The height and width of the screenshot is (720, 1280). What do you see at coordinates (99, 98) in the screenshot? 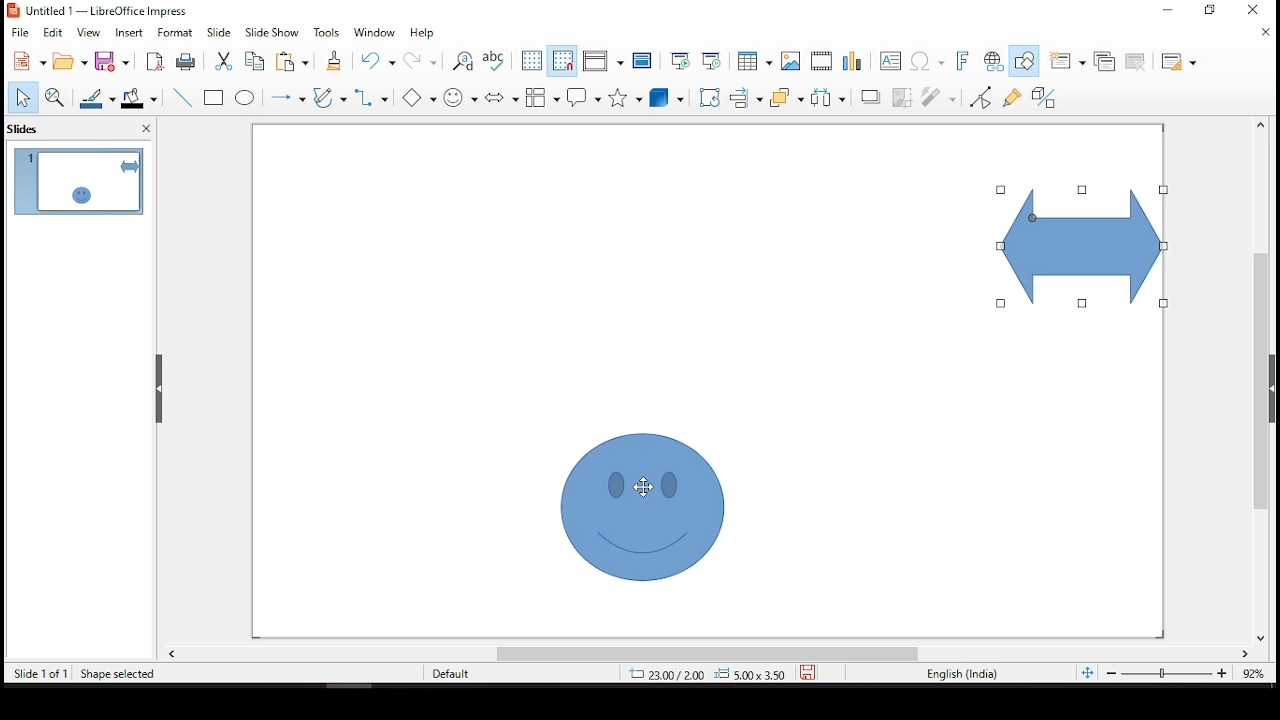
I see `line color` at bounding box center [99, 98].